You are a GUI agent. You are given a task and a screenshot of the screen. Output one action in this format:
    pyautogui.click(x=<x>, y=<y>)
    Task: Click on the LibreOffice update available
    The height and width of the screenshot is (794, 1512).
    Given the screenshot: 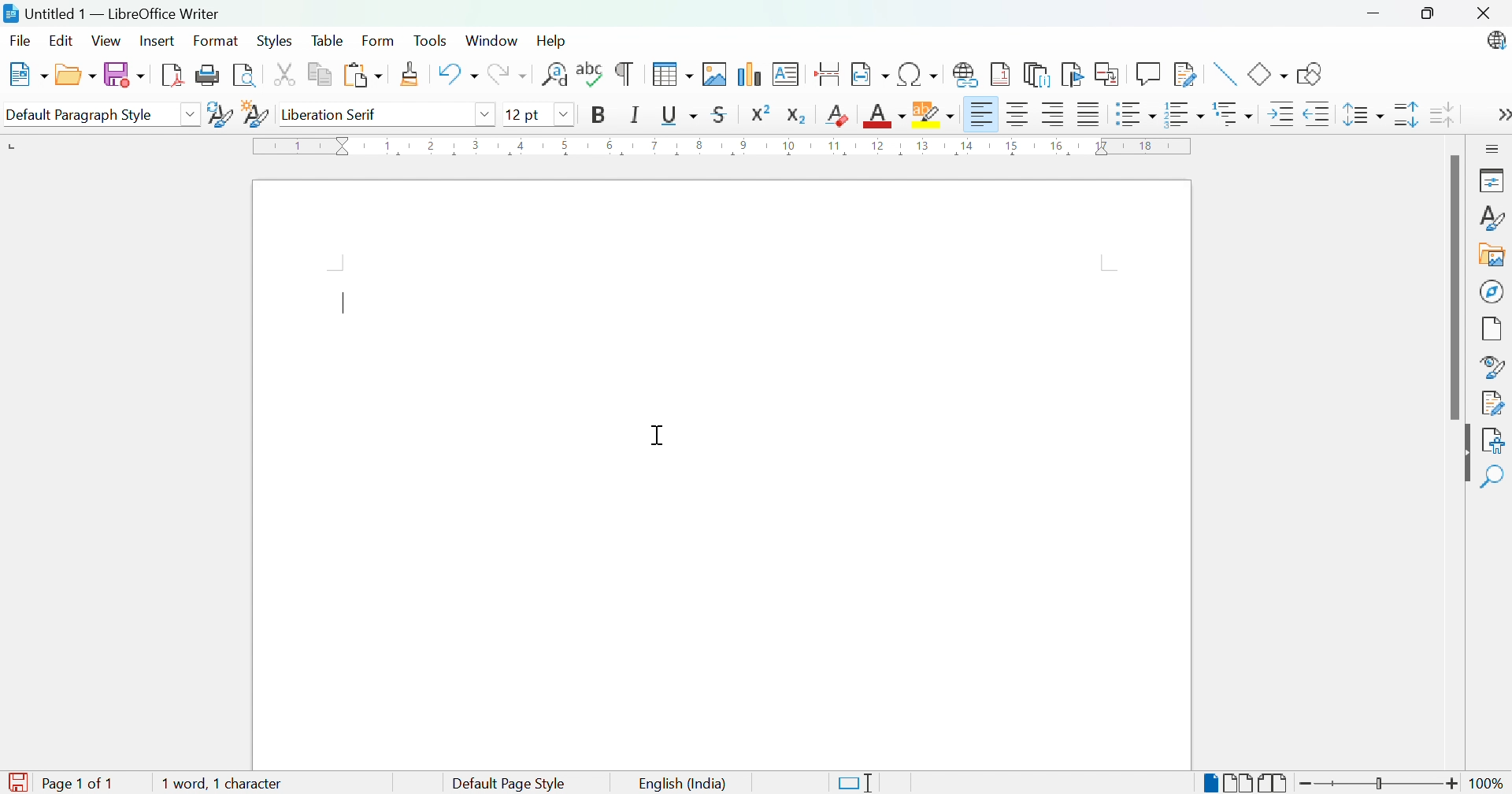 What is the action you would take?
    pyautogui.click(x=1491, y=43)
    